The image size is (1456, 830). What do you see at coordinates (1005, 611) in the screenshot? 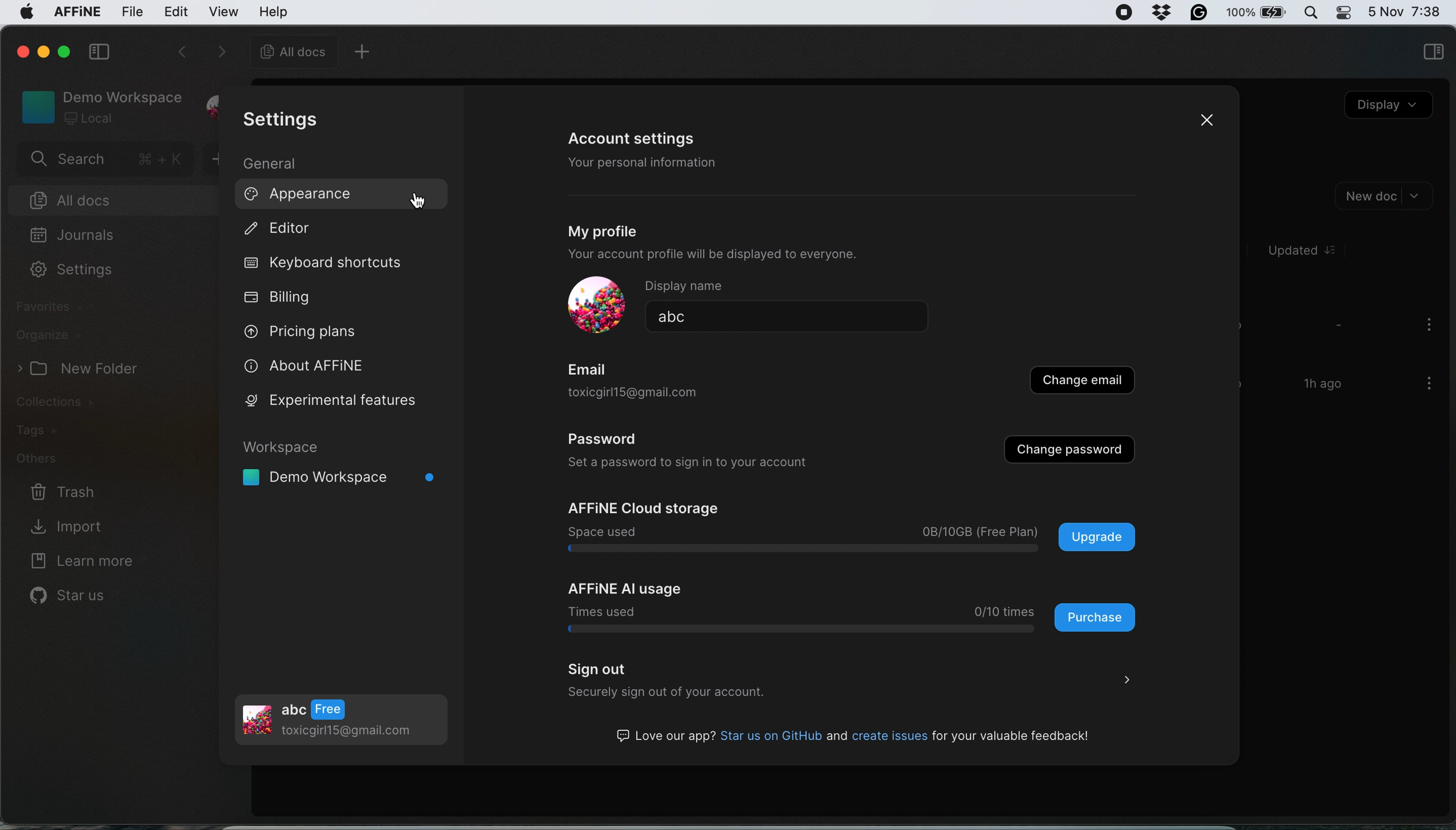
I see `0/10 times` at bounding box center [1005, 611].